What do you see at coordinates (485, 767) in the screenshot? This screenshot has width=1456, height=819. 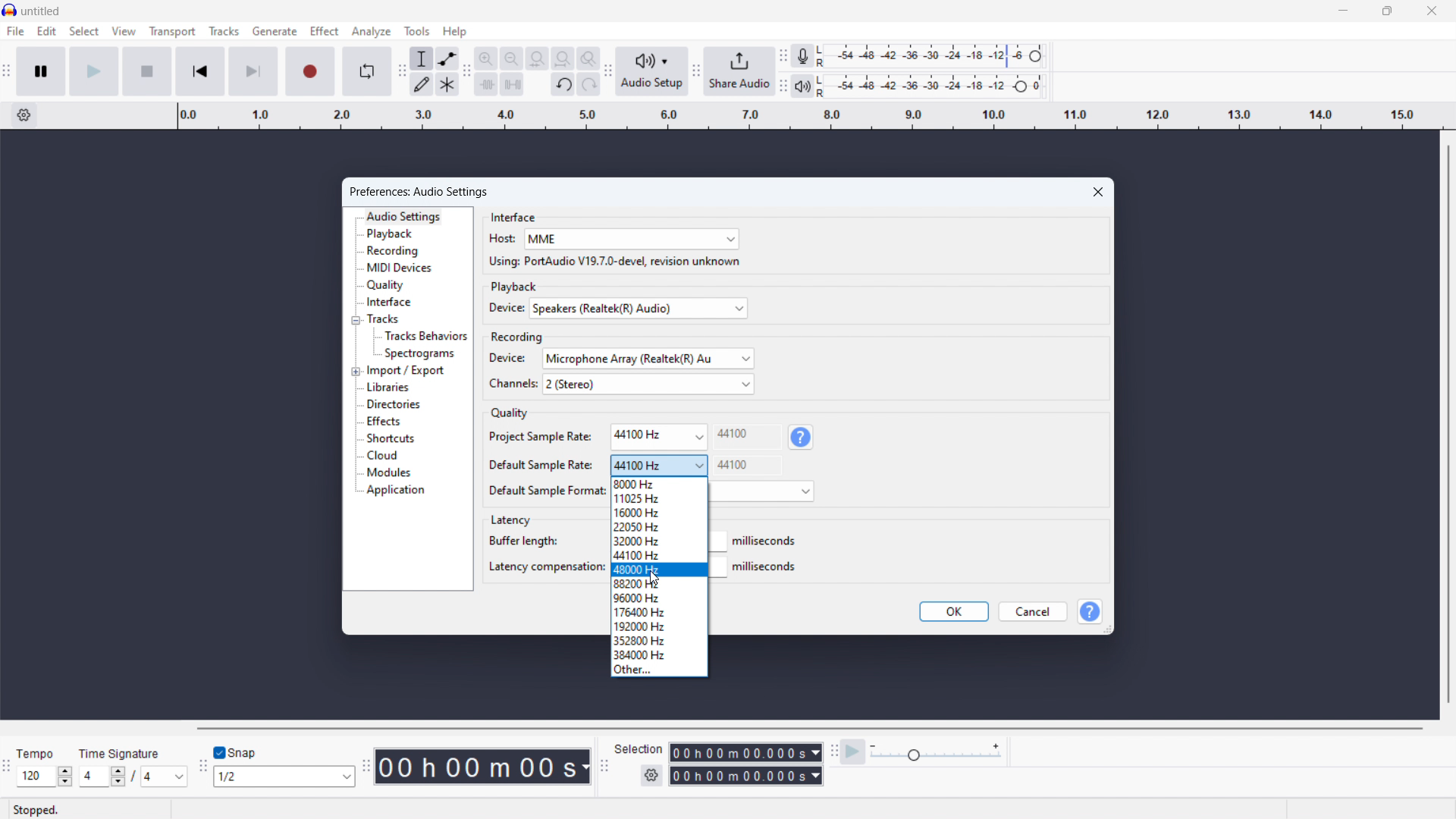 I see `timestamp` at bounding box center [485, 767].